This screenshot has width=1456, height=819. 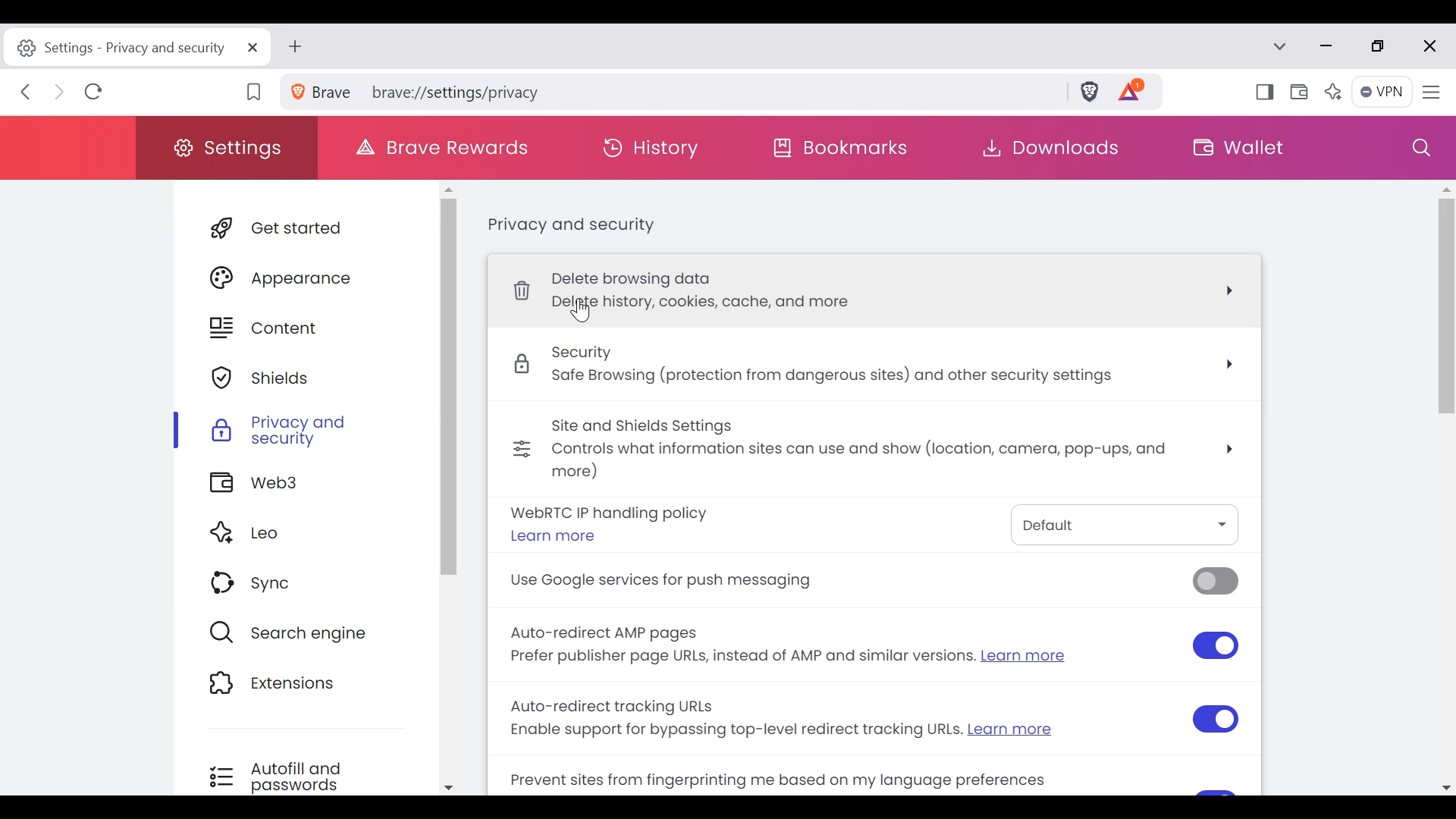 What do you see at coordinates (1447, 786) in the screenshot?
I see `Scroll down` at bounding box center [1447, 786].